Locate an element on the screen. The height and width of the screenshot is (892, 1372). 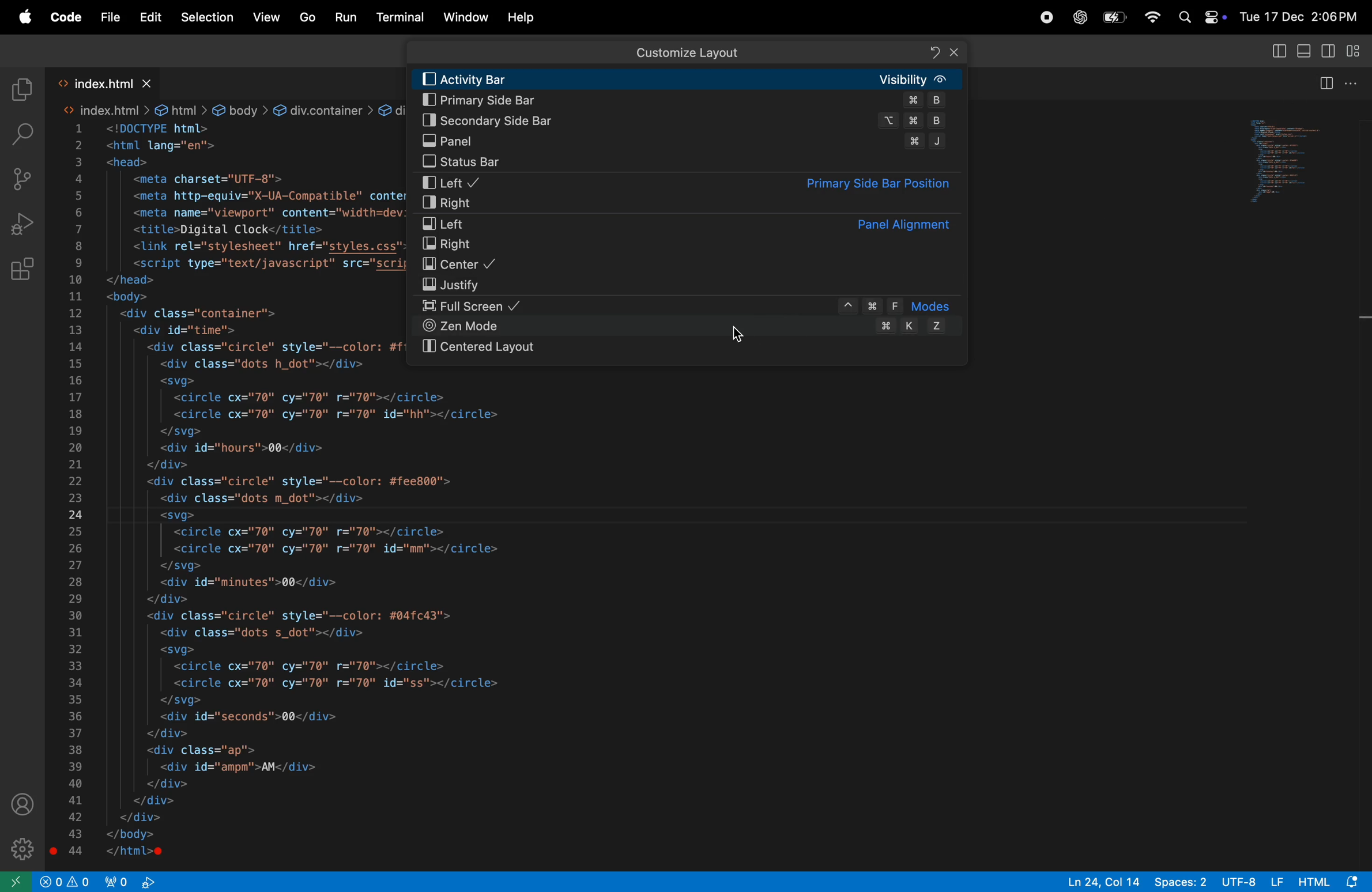
window is located at coordinates (466, 20).